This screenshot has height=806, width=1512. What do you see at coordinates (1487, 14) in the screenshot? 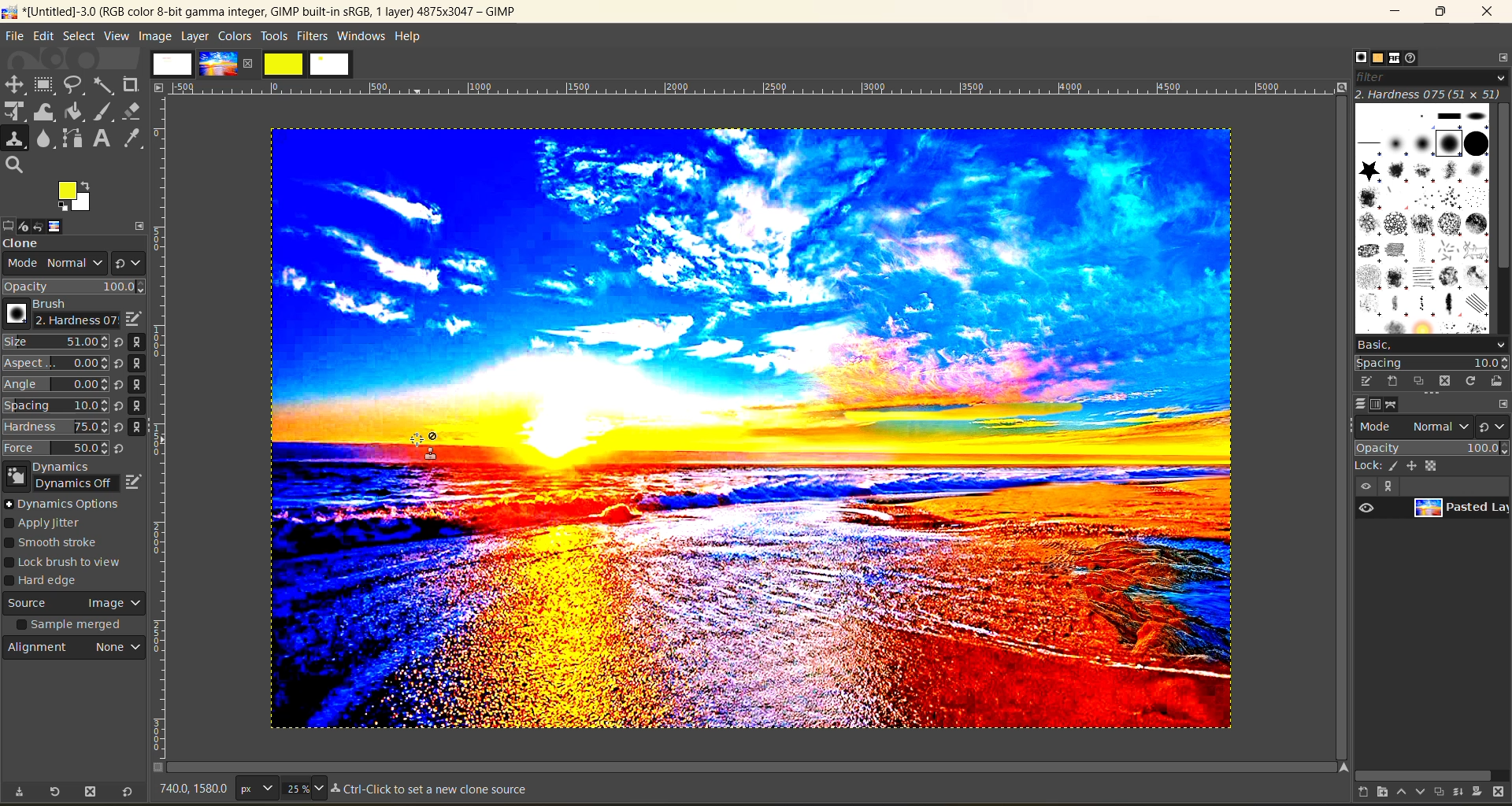
I see `close` at bounding box center [1487, 14].